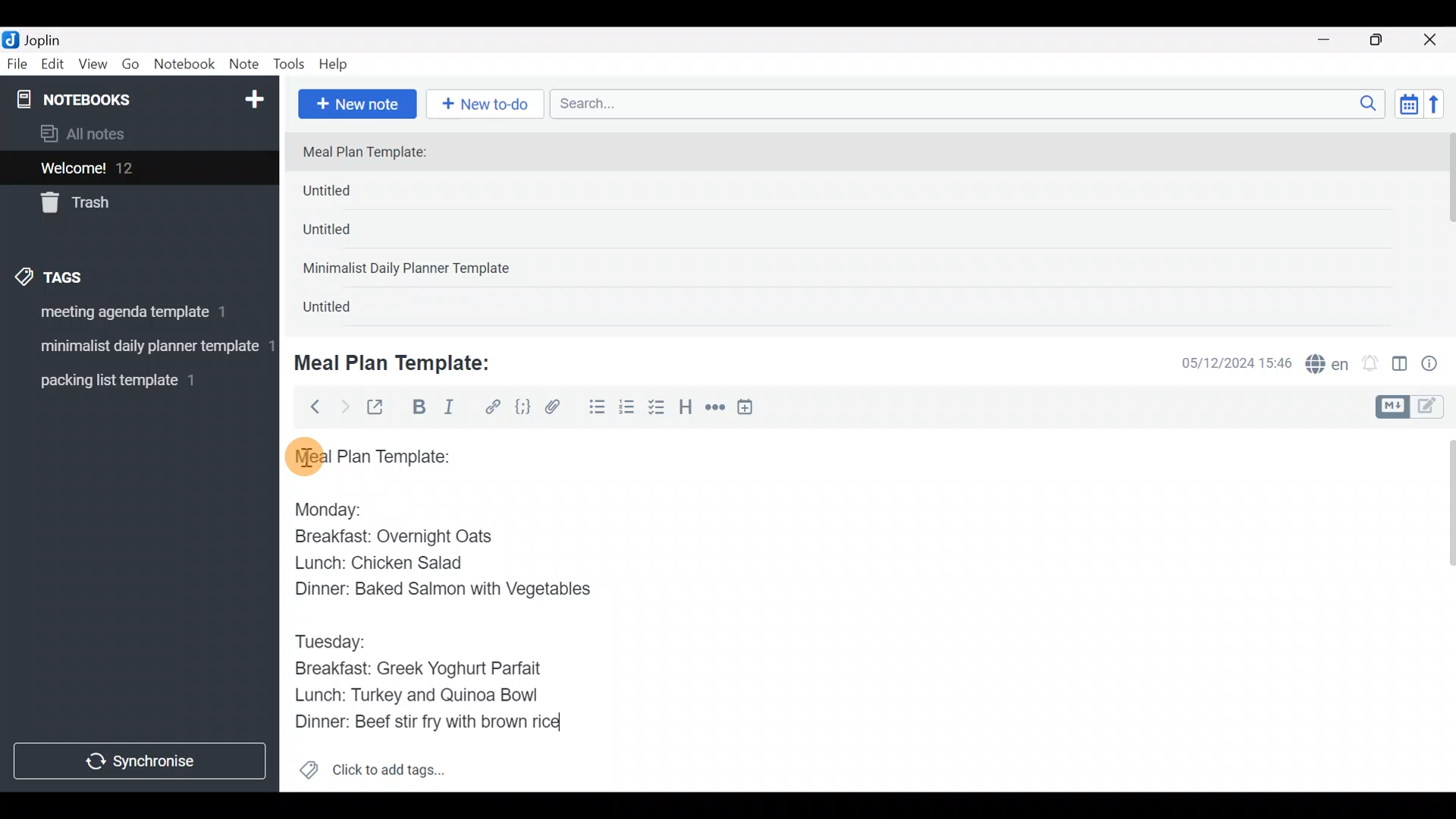  Describe the element at coordinates (330, 642) in the screenshot. I see `Tuesday:` at that location.